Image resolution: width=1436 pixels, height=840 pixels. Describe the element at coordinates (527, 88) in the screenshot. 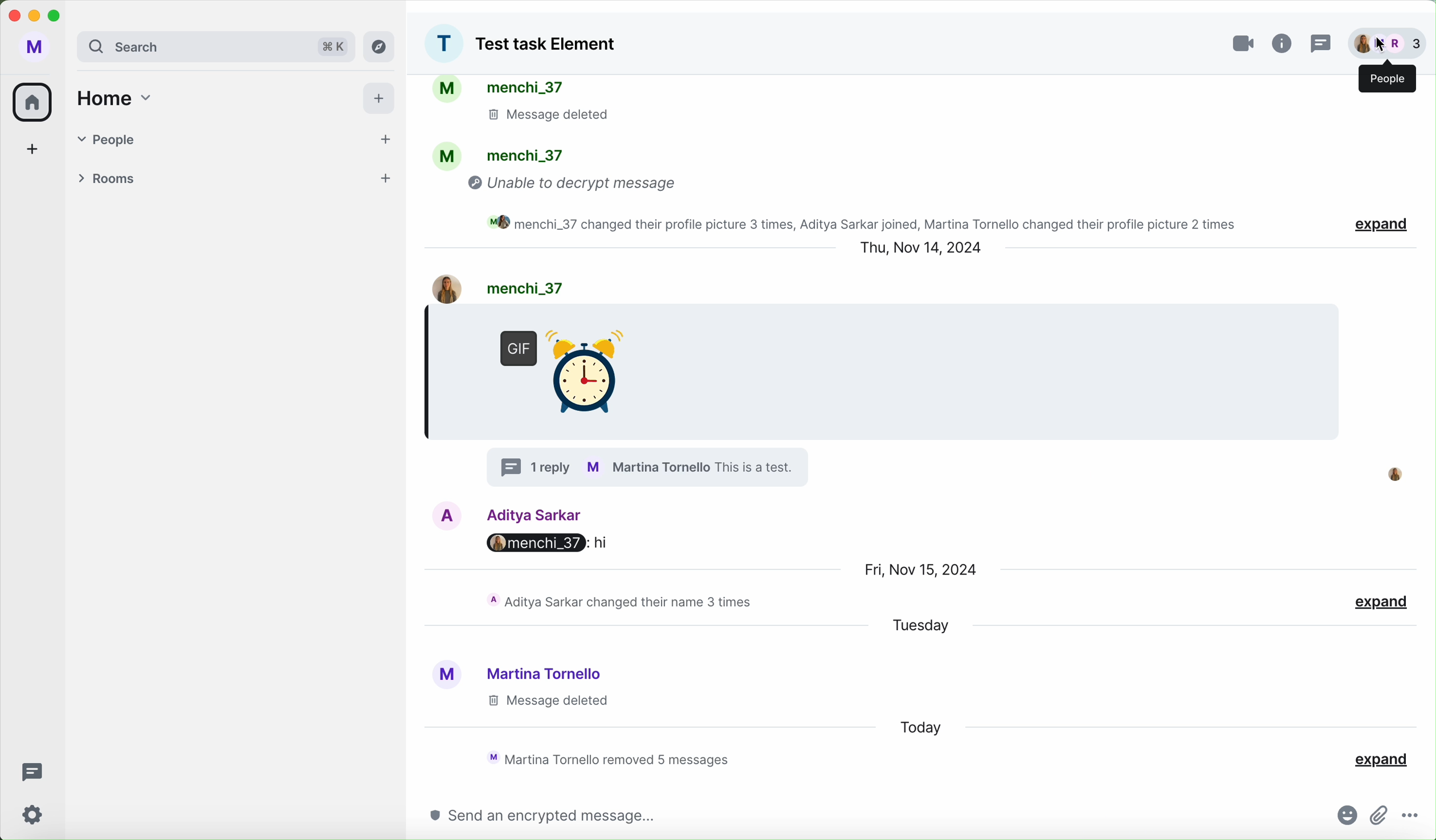

I see `people` at that location.